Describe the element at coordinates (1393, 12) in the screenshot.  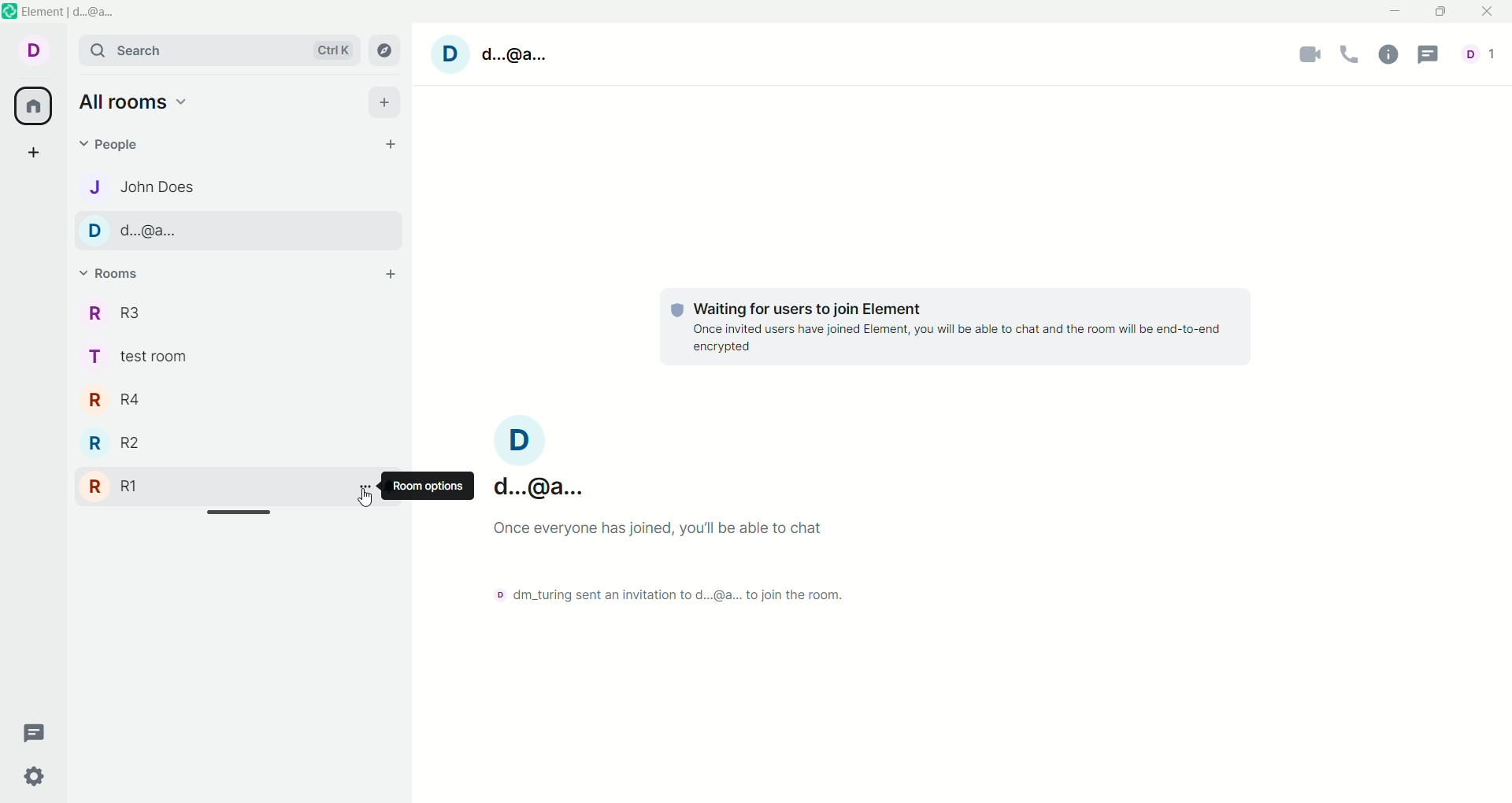
I see `minimize` at that location.